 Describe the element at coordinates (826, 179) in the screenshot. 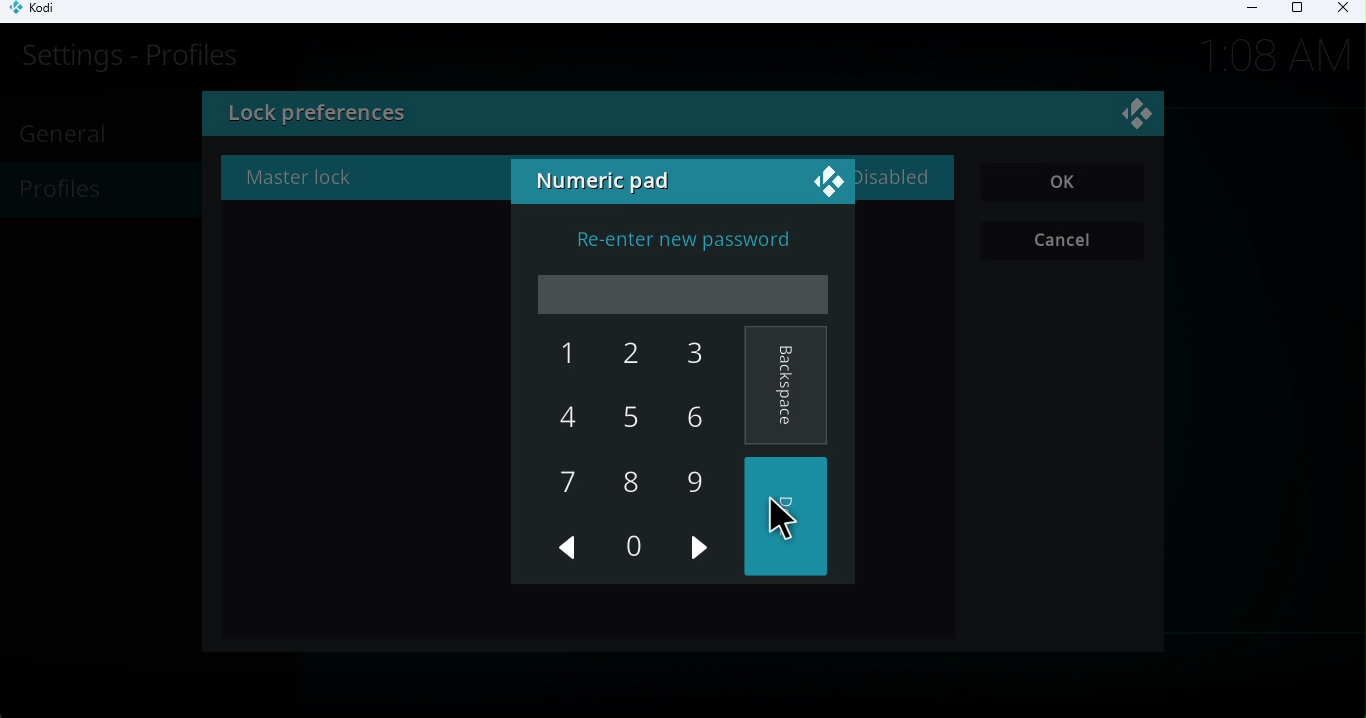

I see `Logo` at that location.